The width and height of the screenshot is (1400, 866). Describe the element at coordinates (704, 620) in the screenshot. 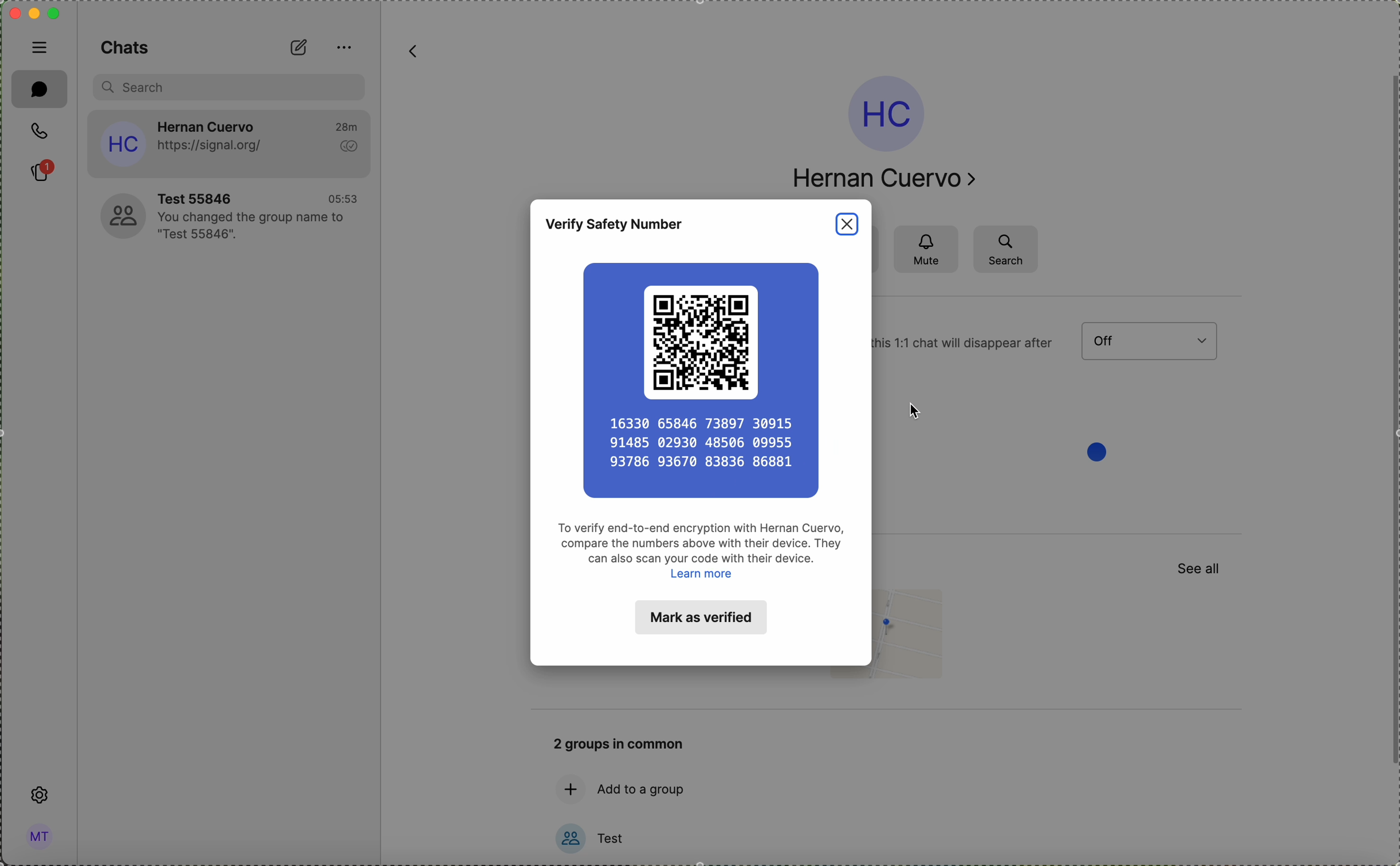

I see `Mark as verified` at that location.